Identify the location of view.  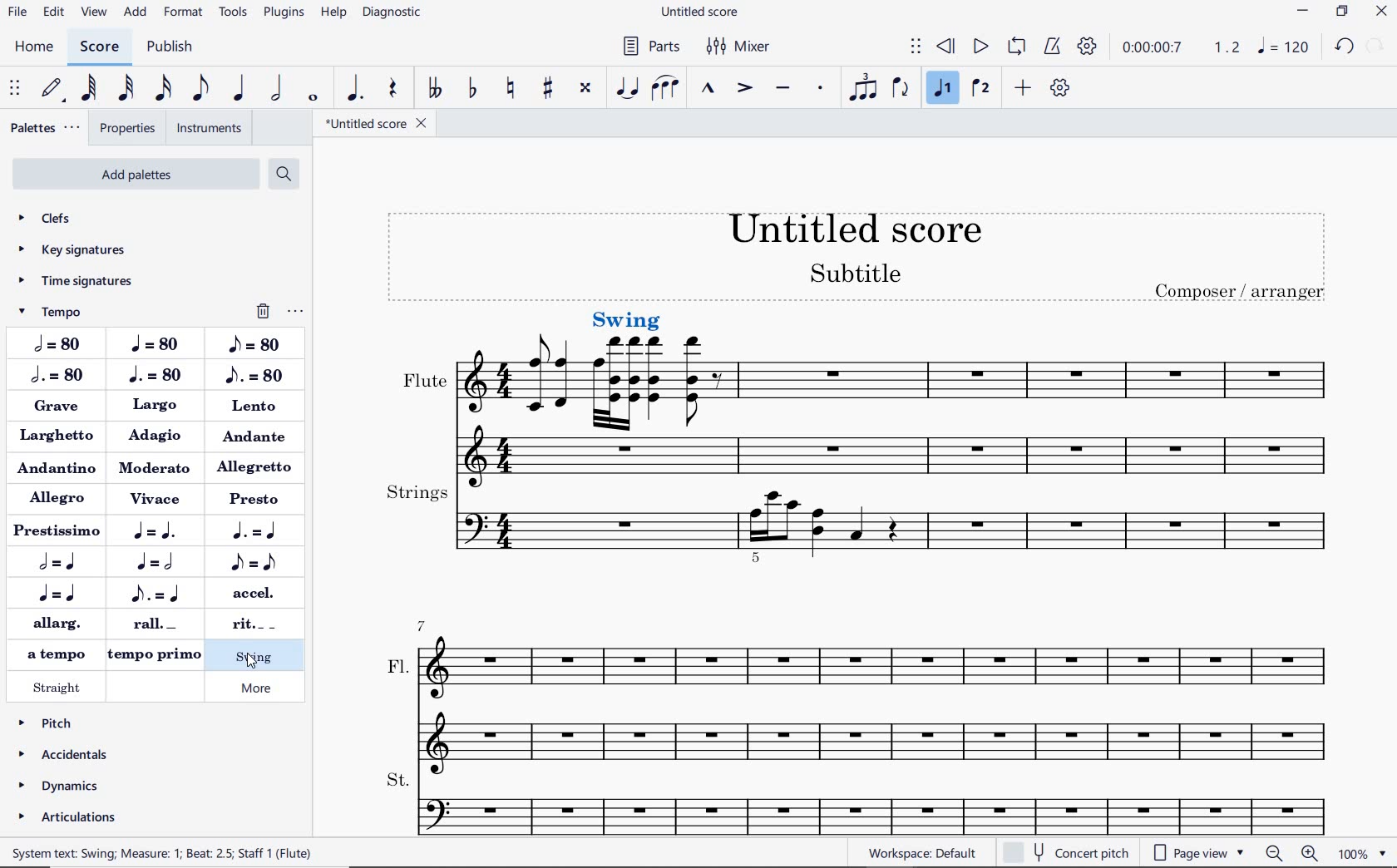
(95, 13).